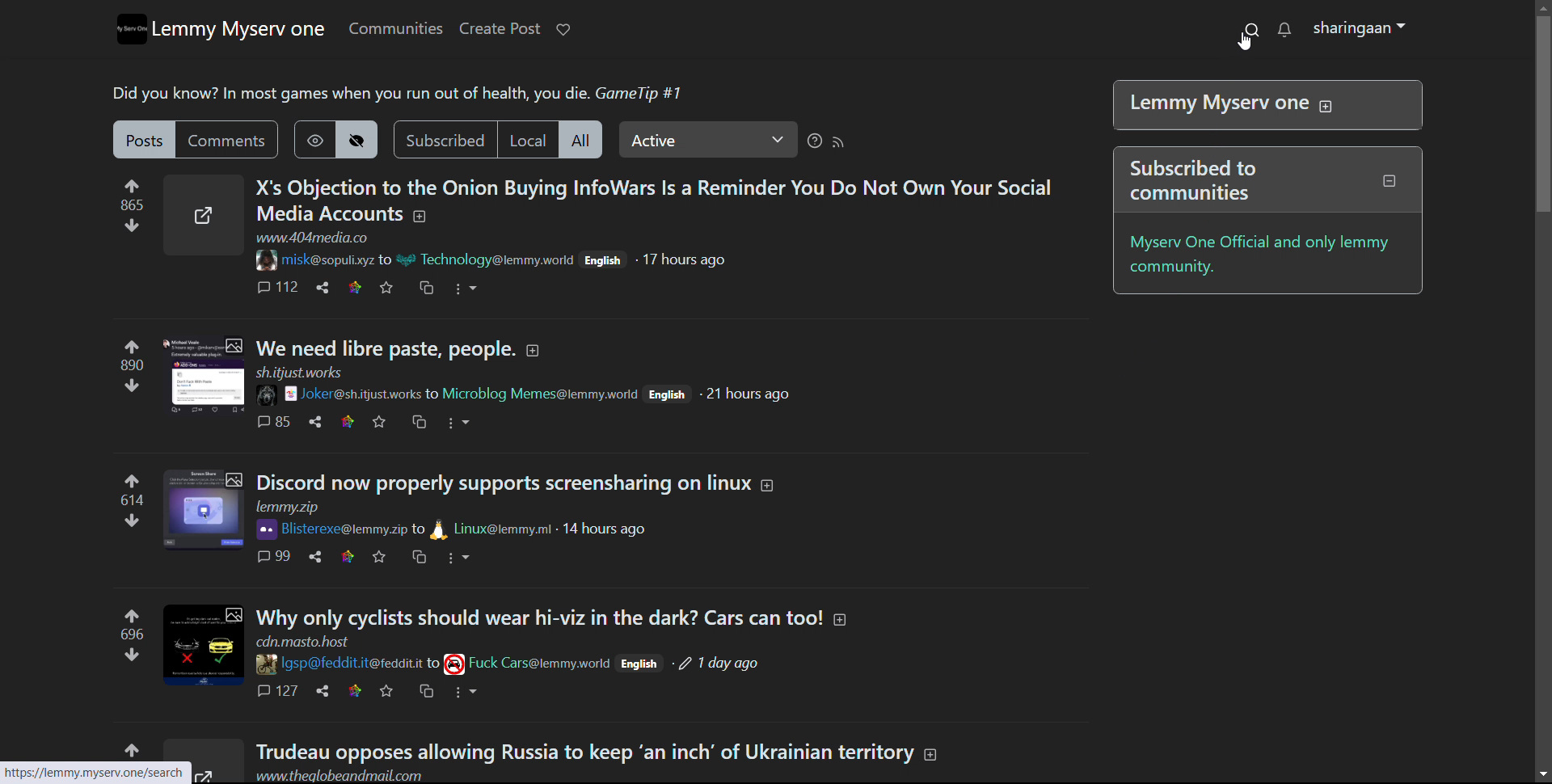 Image resolution: width=1552 pixels, height=784 pixels. Describe the element at coordinates (354, 691) in the screenshot. I see `link` at that location.